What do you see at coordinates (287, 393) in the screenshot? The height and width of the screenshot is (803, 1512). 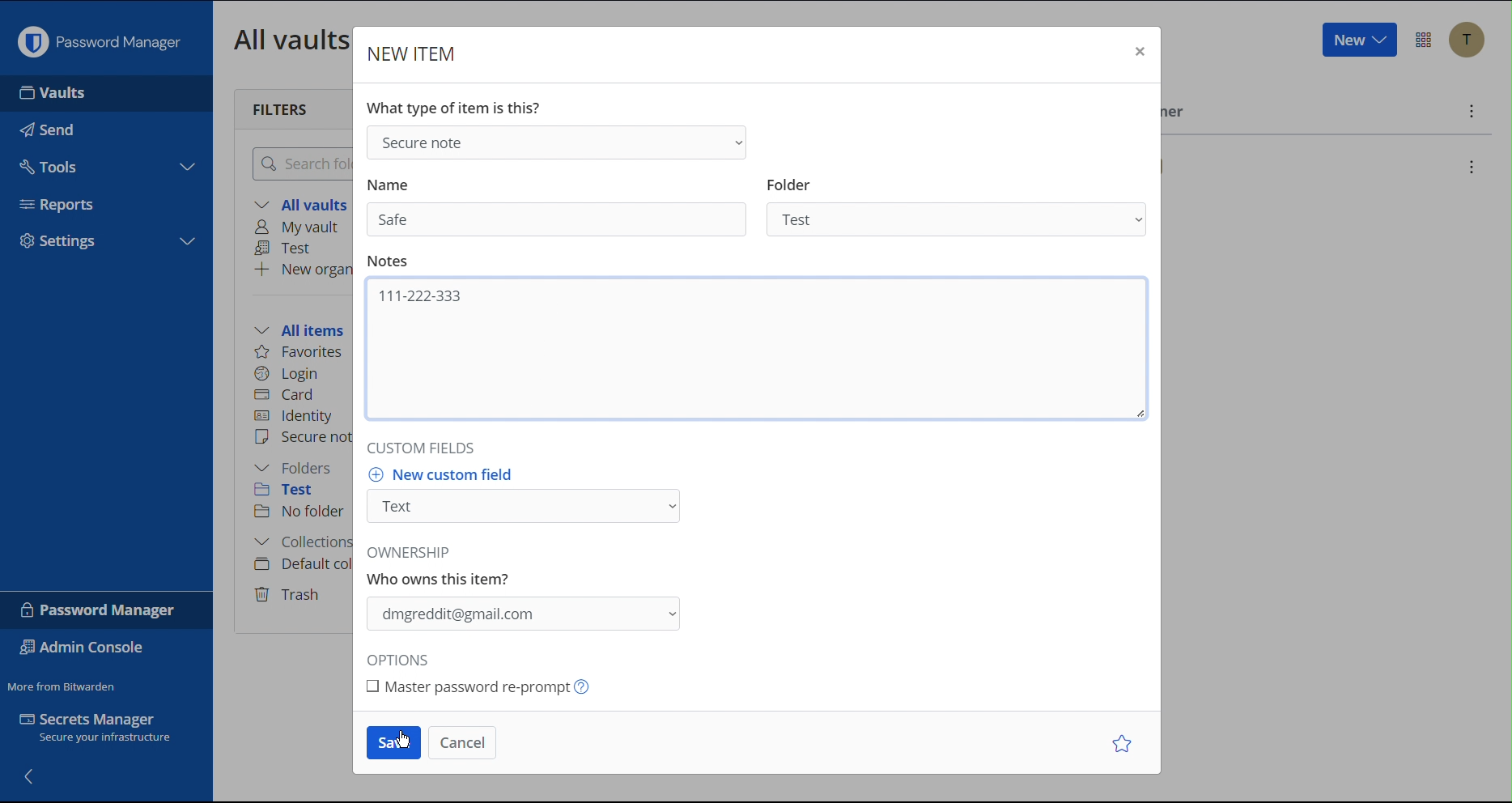 I see `Card` at bounding box center [287, 393].